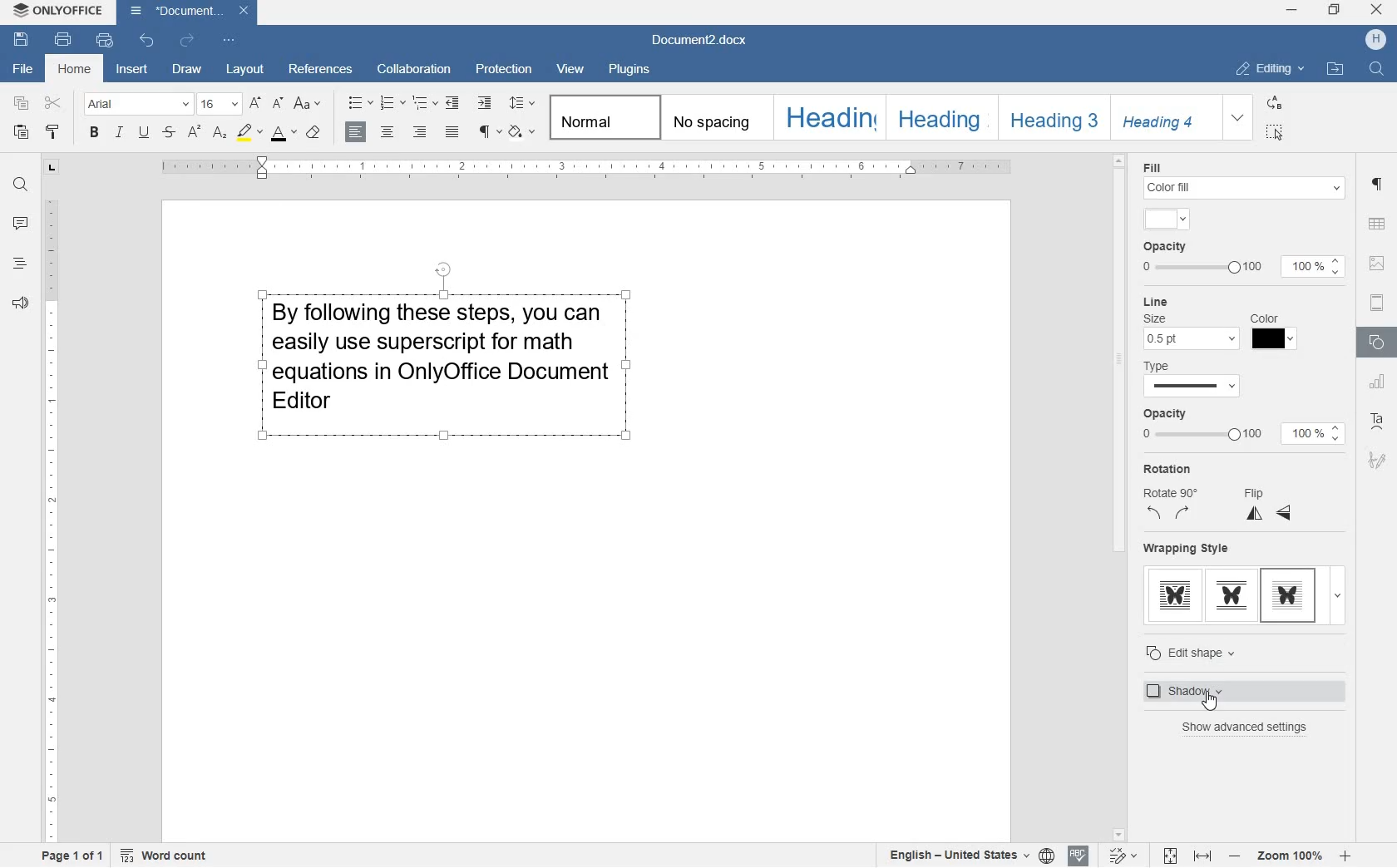 The height and width of the screenshot is (868, 1397). Describe the element at coordinates (52, 103) in the screenshot. I see `cut` at that location.